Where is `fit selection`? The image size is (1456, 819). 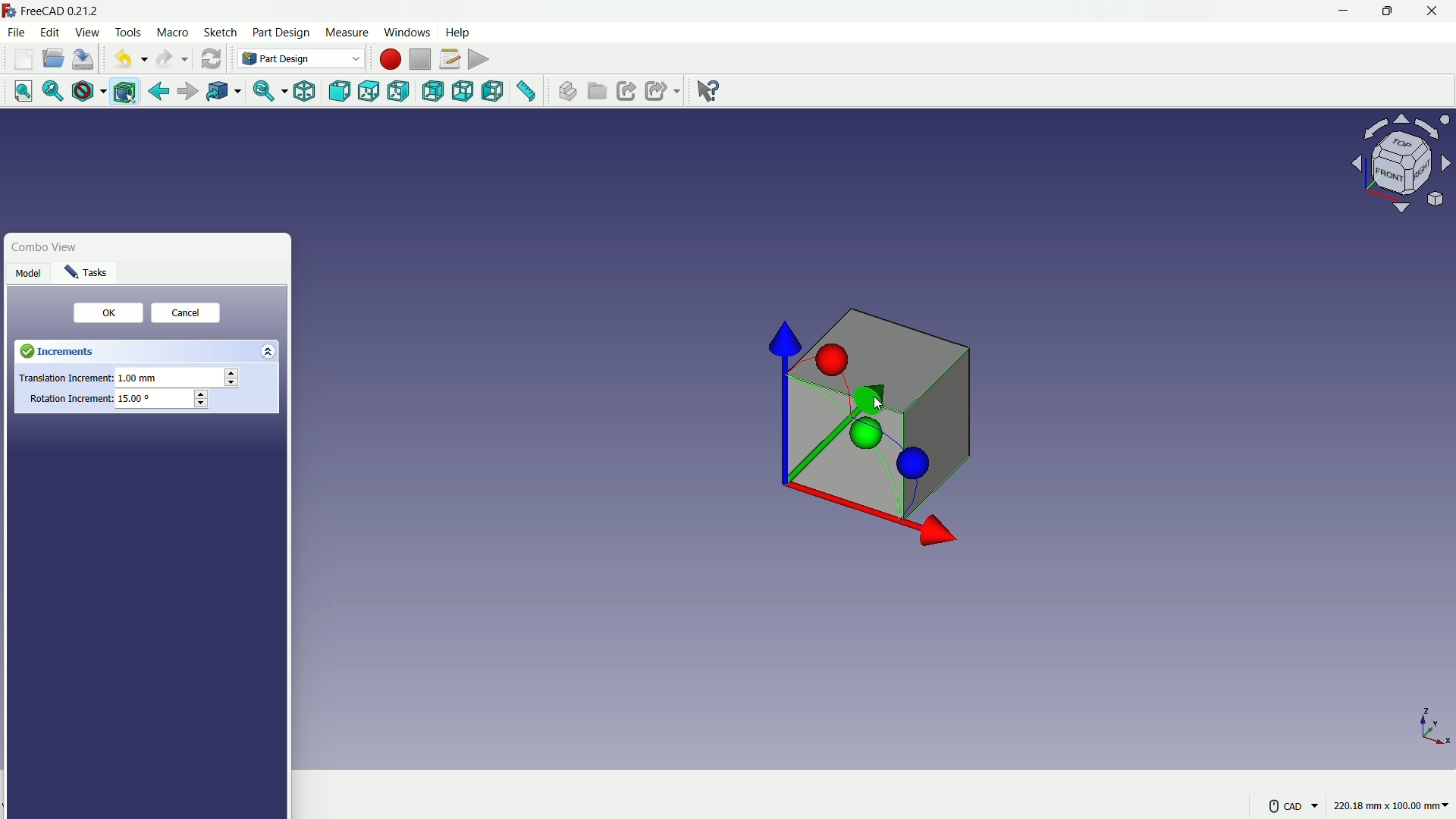
fit selection is located at coordinates (49, 92).